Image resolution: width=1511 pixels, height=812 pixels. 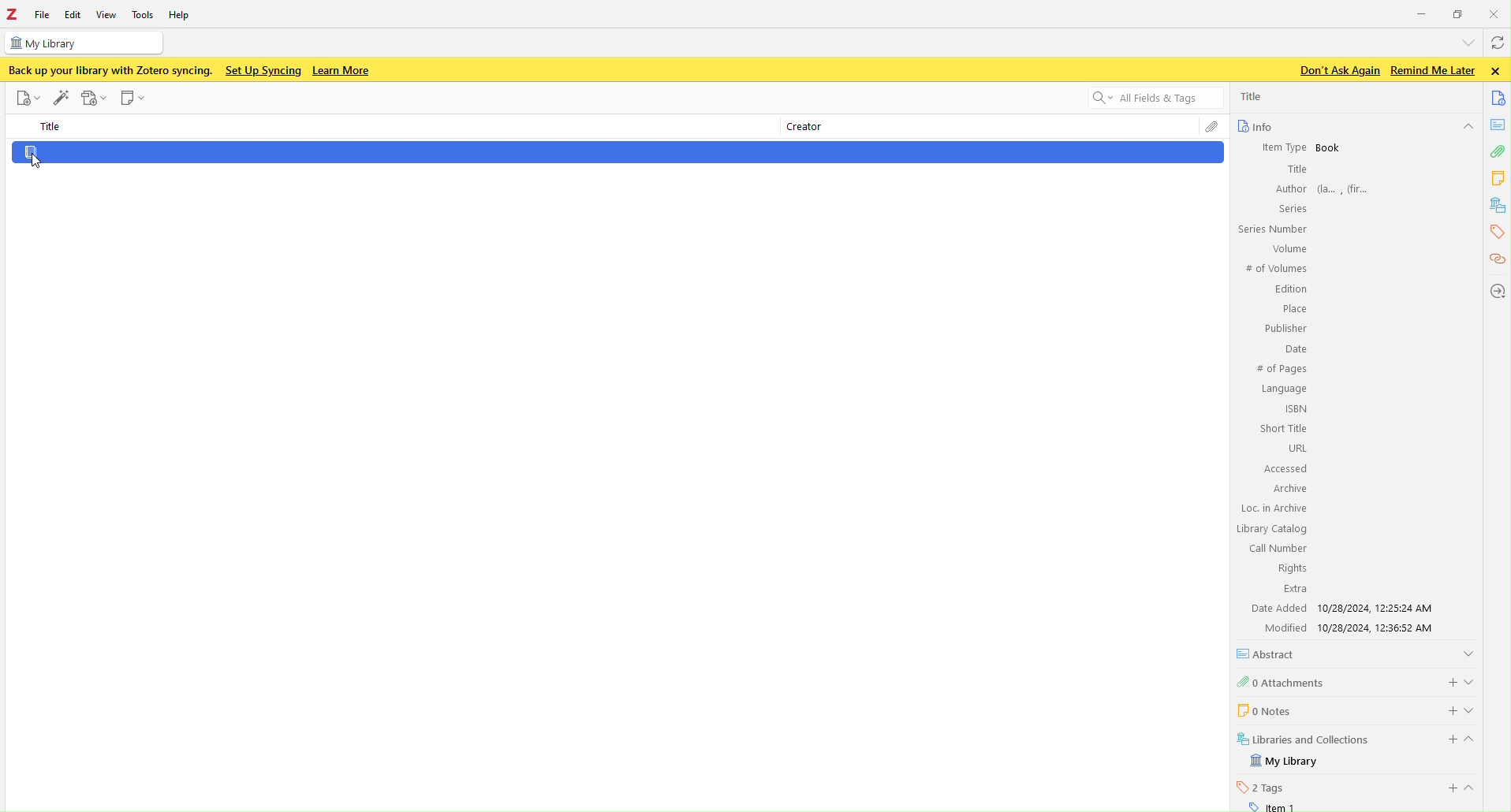 I want to click on my library, so click(x=1361, y=747).